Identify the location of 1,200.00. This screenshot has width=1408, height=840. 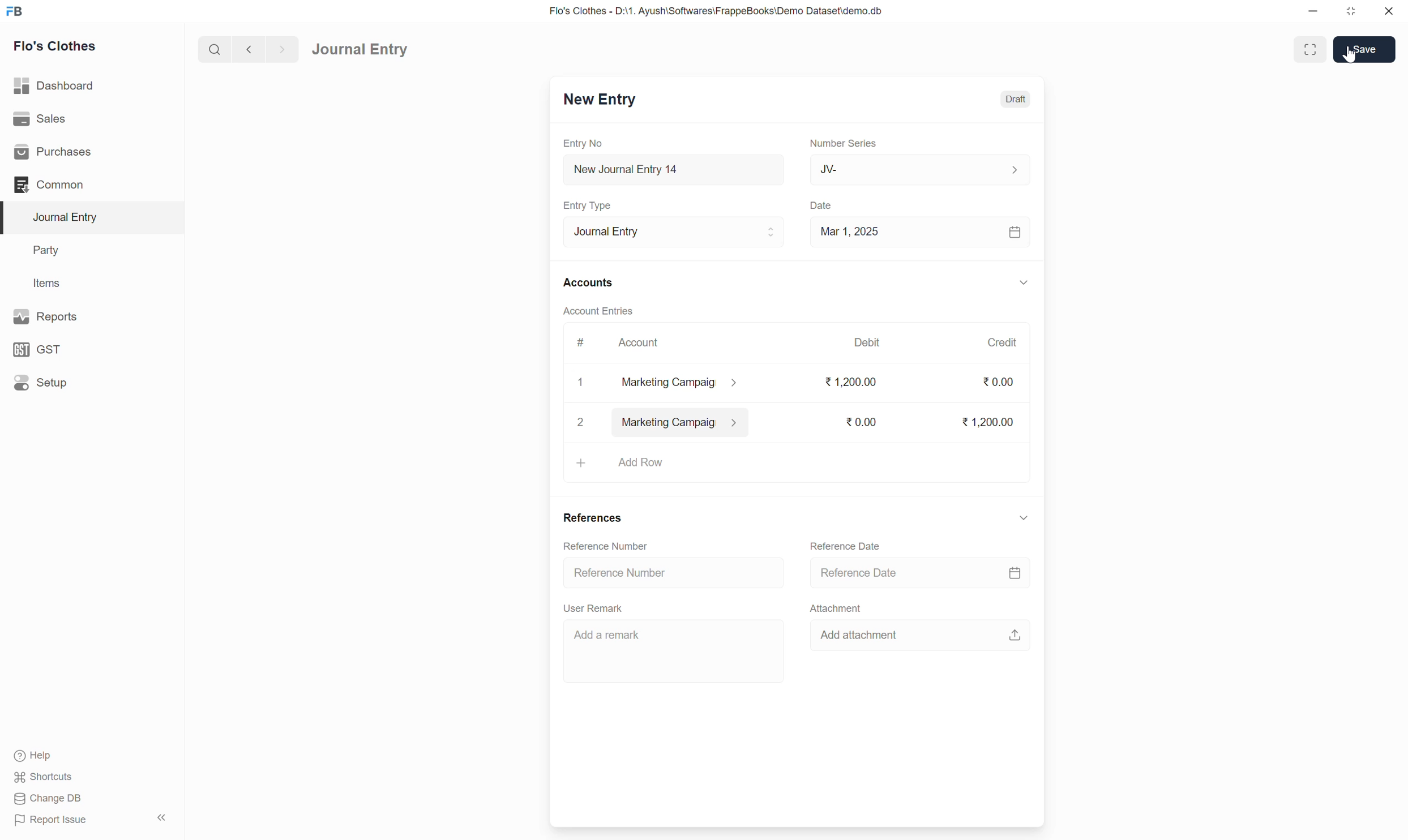
(987, 422).